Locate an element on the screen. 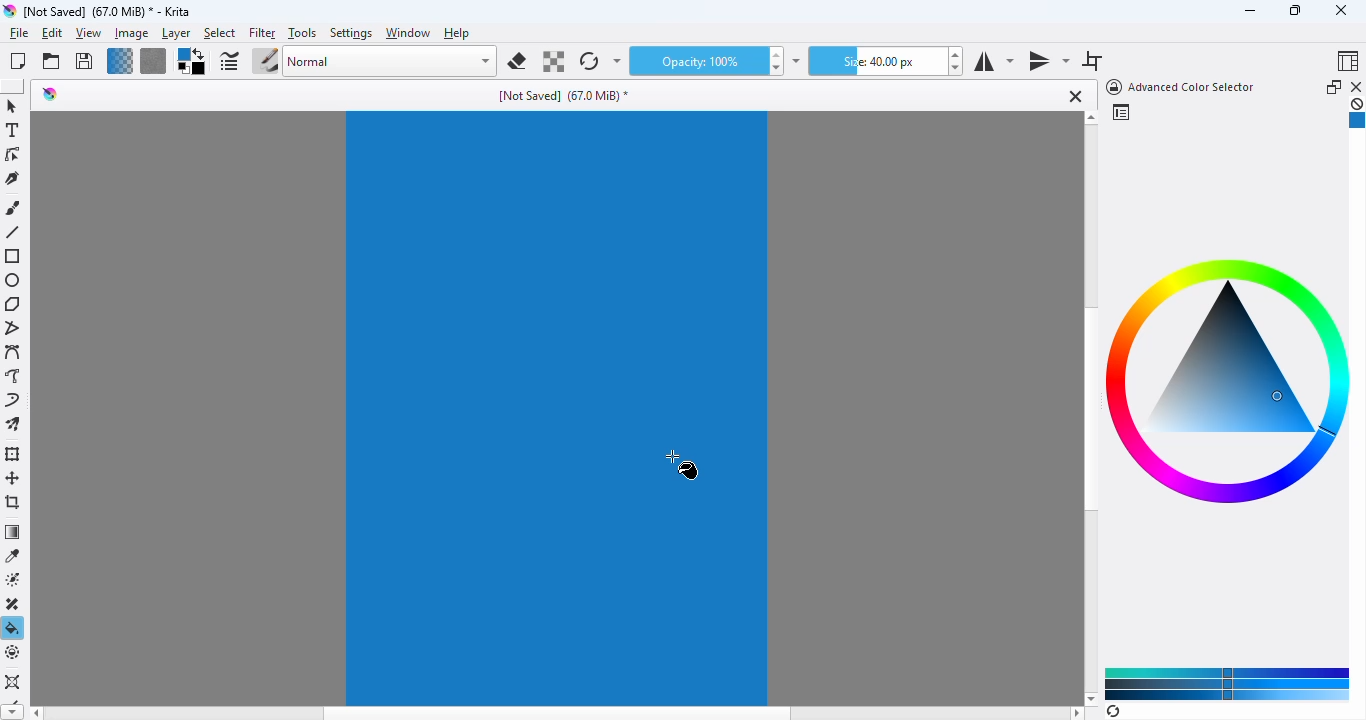 The image size is (1366, 720). assistant tool is located at coordinates (12, 681).